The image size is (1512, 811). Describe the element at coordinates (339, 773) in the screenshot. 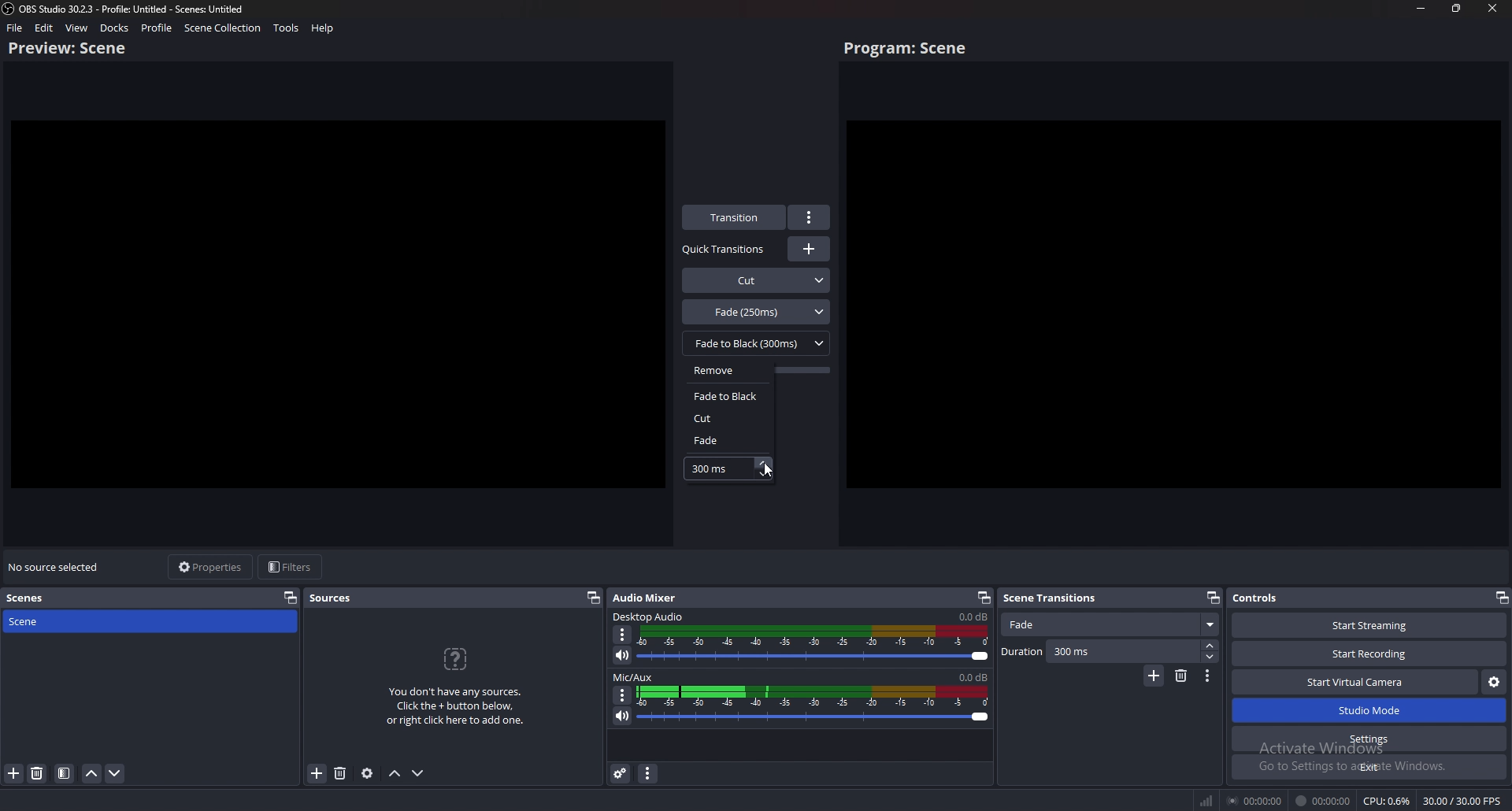

I see `Delete sources` at that location.